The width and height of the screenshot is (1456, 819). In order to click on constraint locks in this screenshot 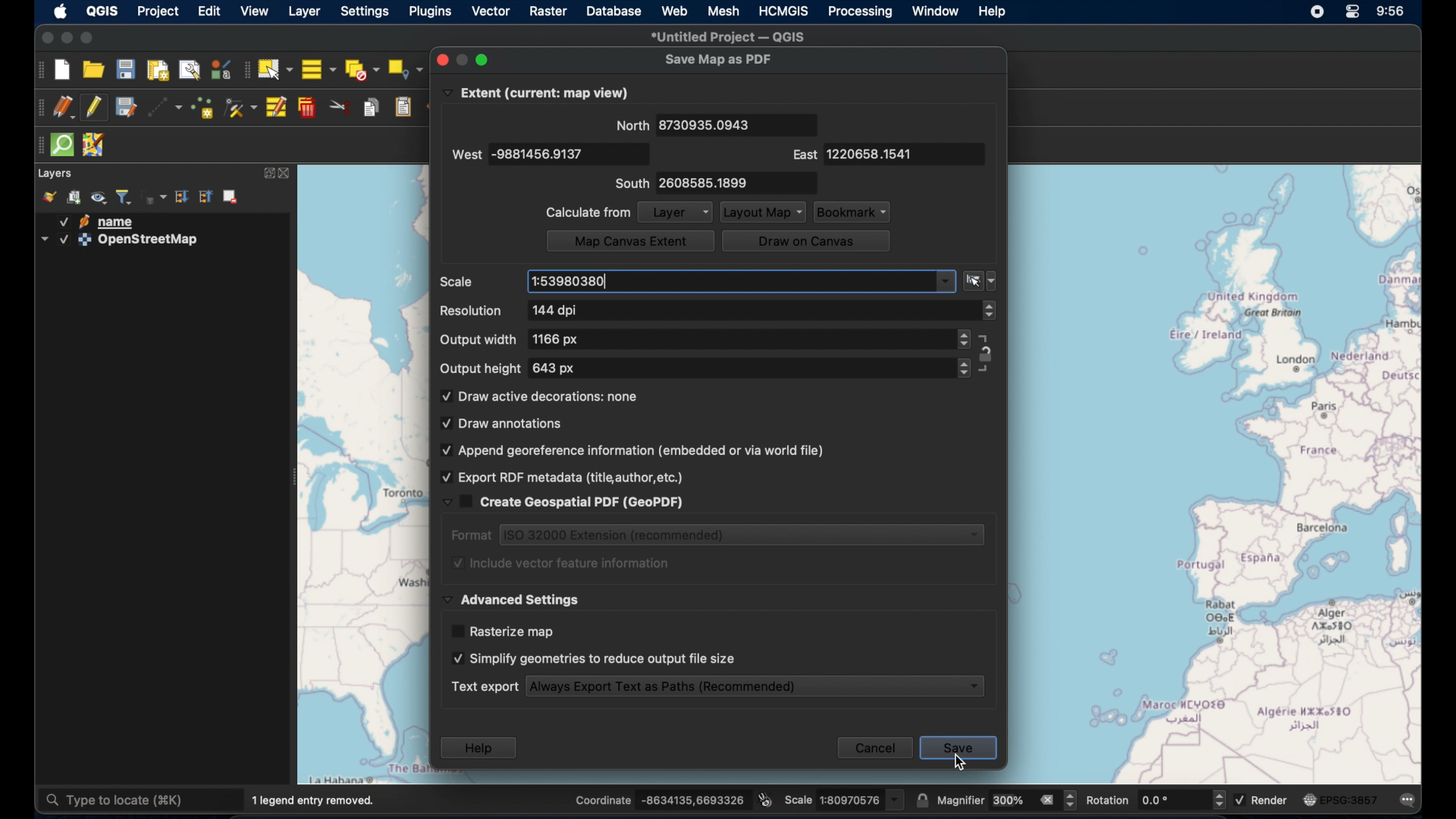, I will do `click(987, 354)`.